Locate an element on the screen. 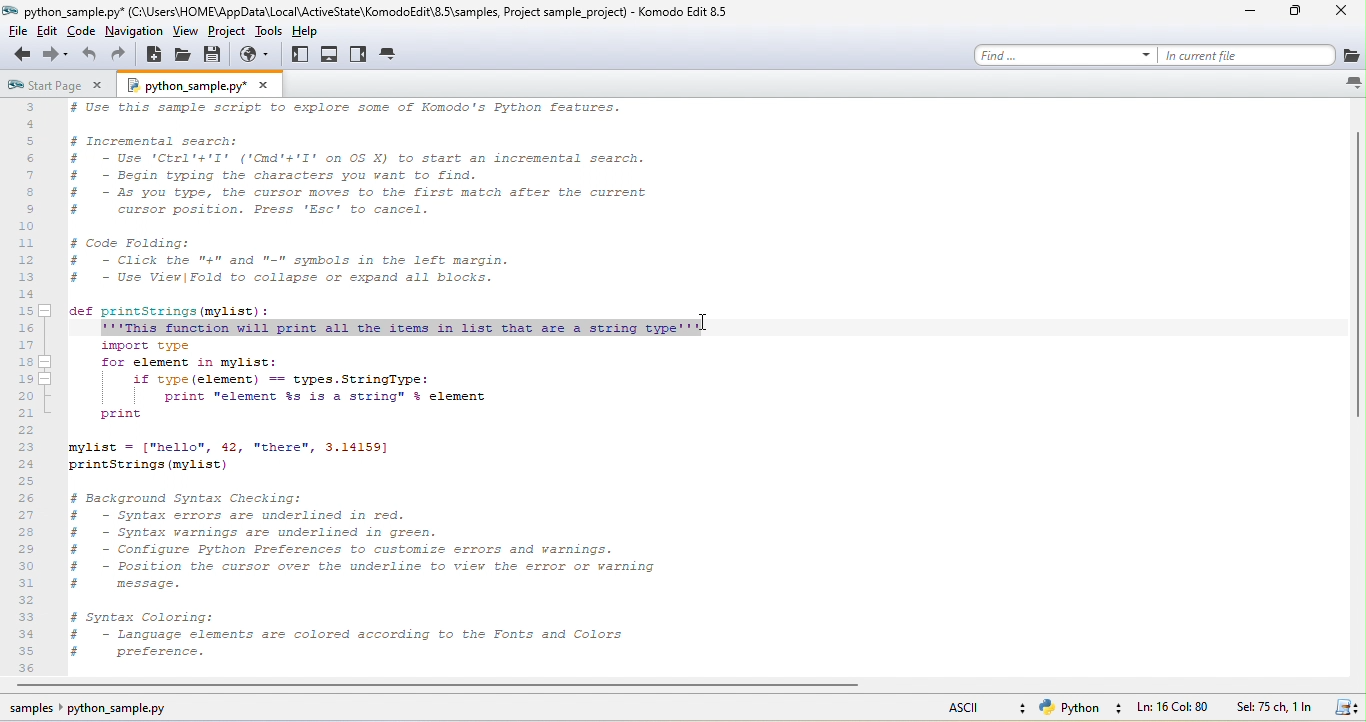 This screenshot has width=1366, height=722. sel 75 ch 1 ln is located at coordinates (1273, 708).